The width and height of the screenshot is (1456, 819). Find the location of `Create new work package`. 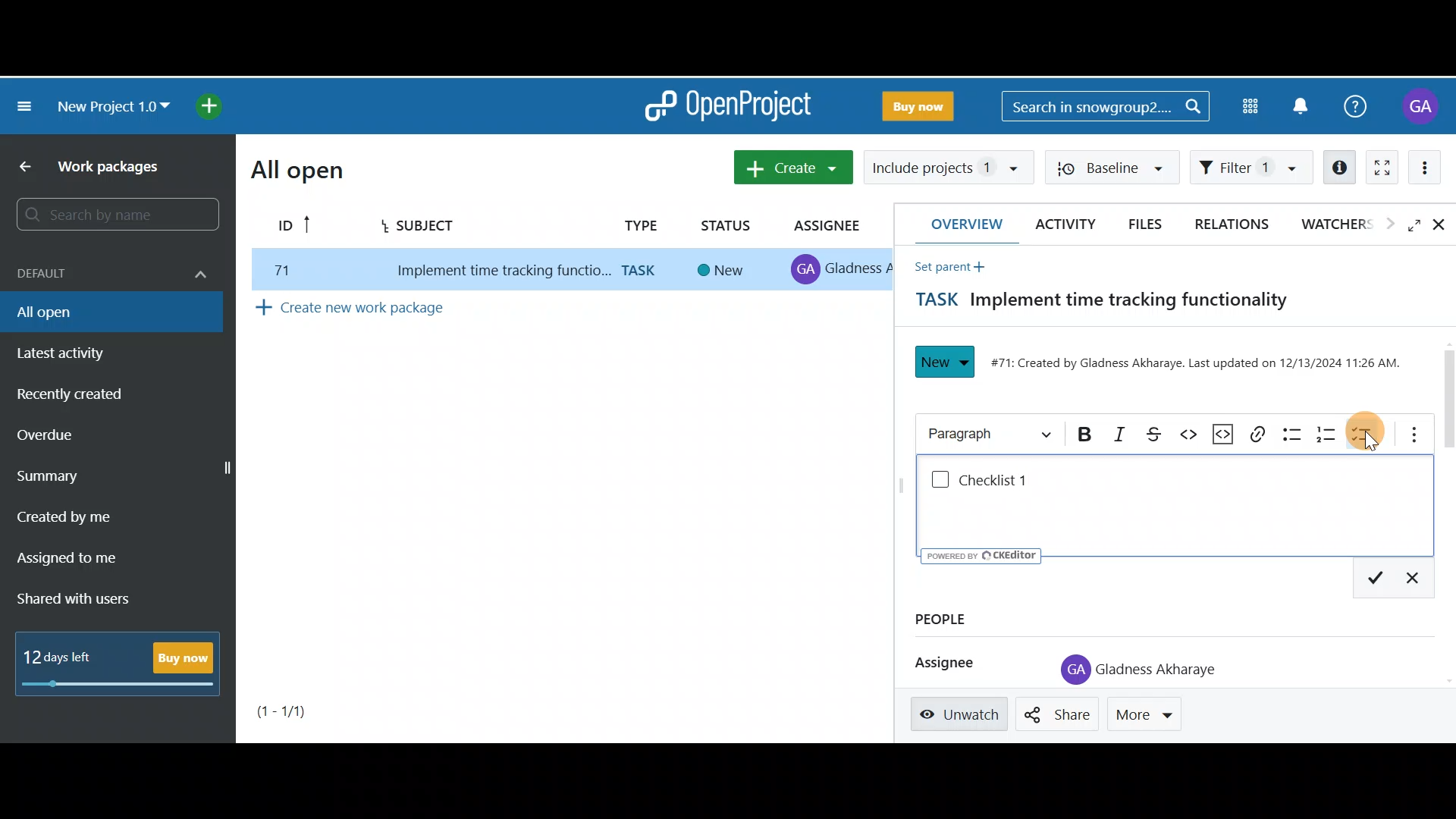

Create new work package is located at coordinates (390, 311).